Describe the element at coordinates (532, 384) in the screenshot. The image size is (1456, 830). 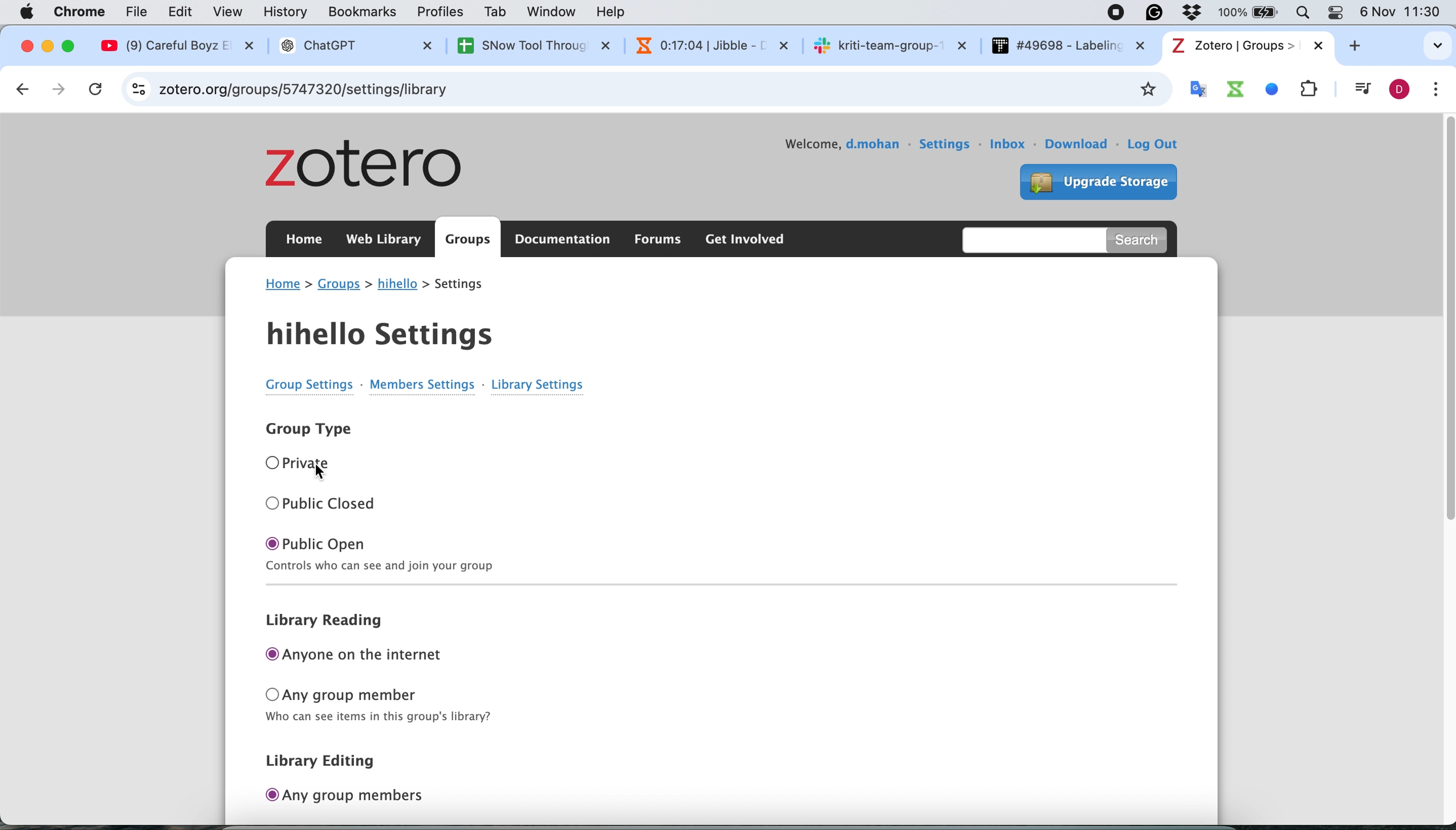
I see `Library Settings` at that location.